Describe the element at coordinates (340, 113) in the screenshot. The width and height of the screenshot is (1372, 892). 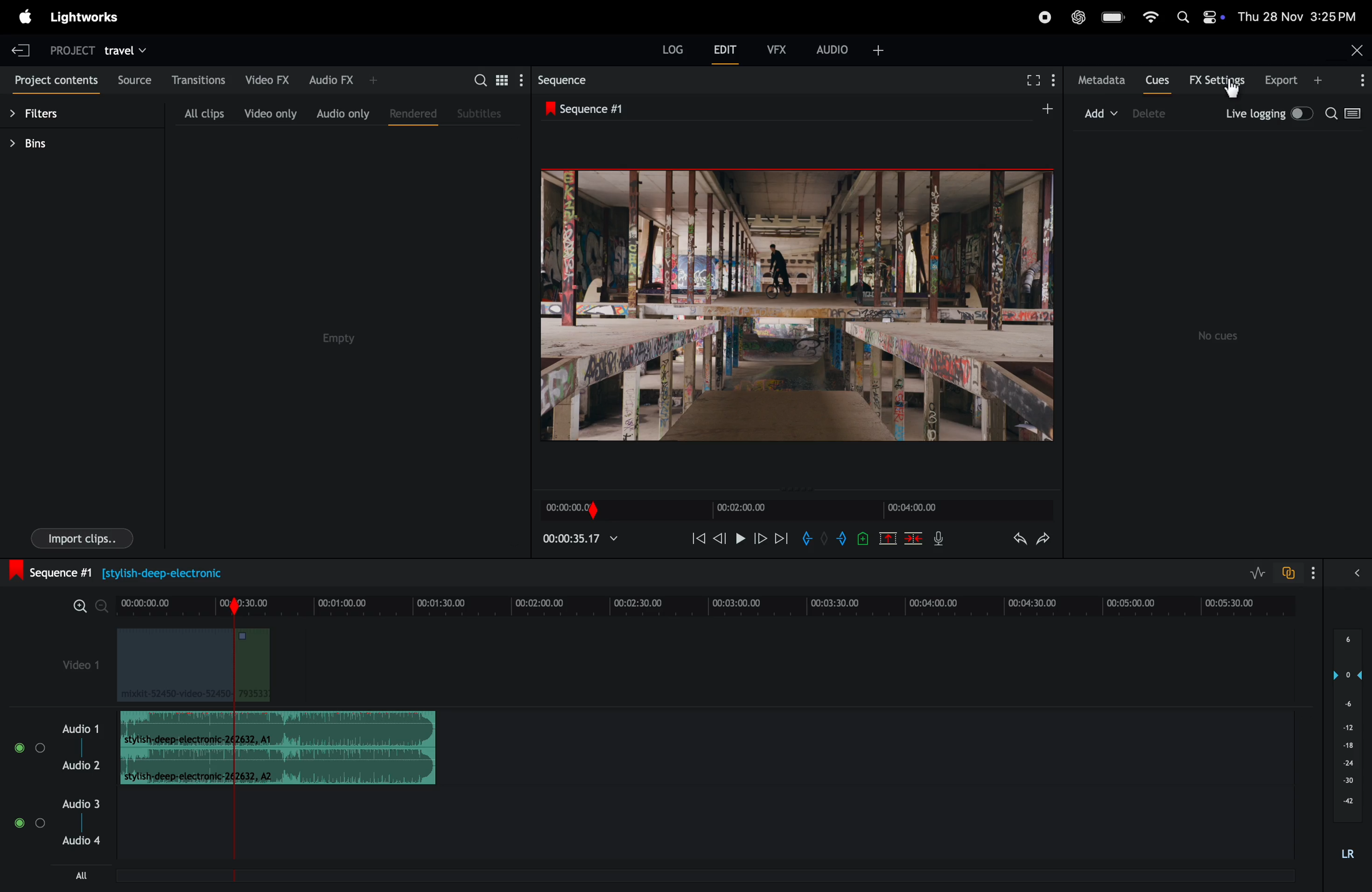
I see `audio only` at that location.